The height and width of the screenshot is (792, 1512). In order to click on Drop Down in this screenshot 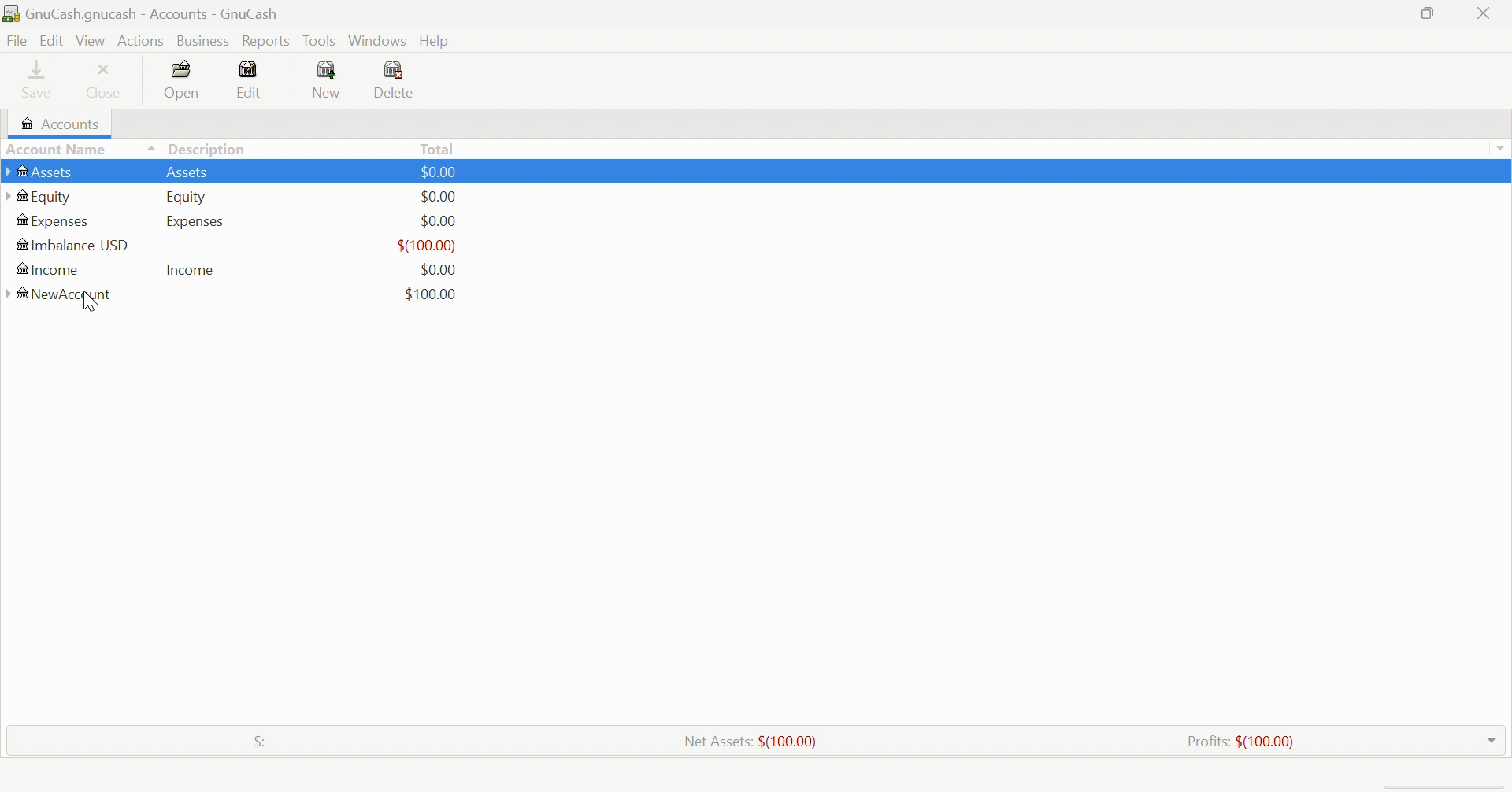, I will do `click(1489, 742)`.